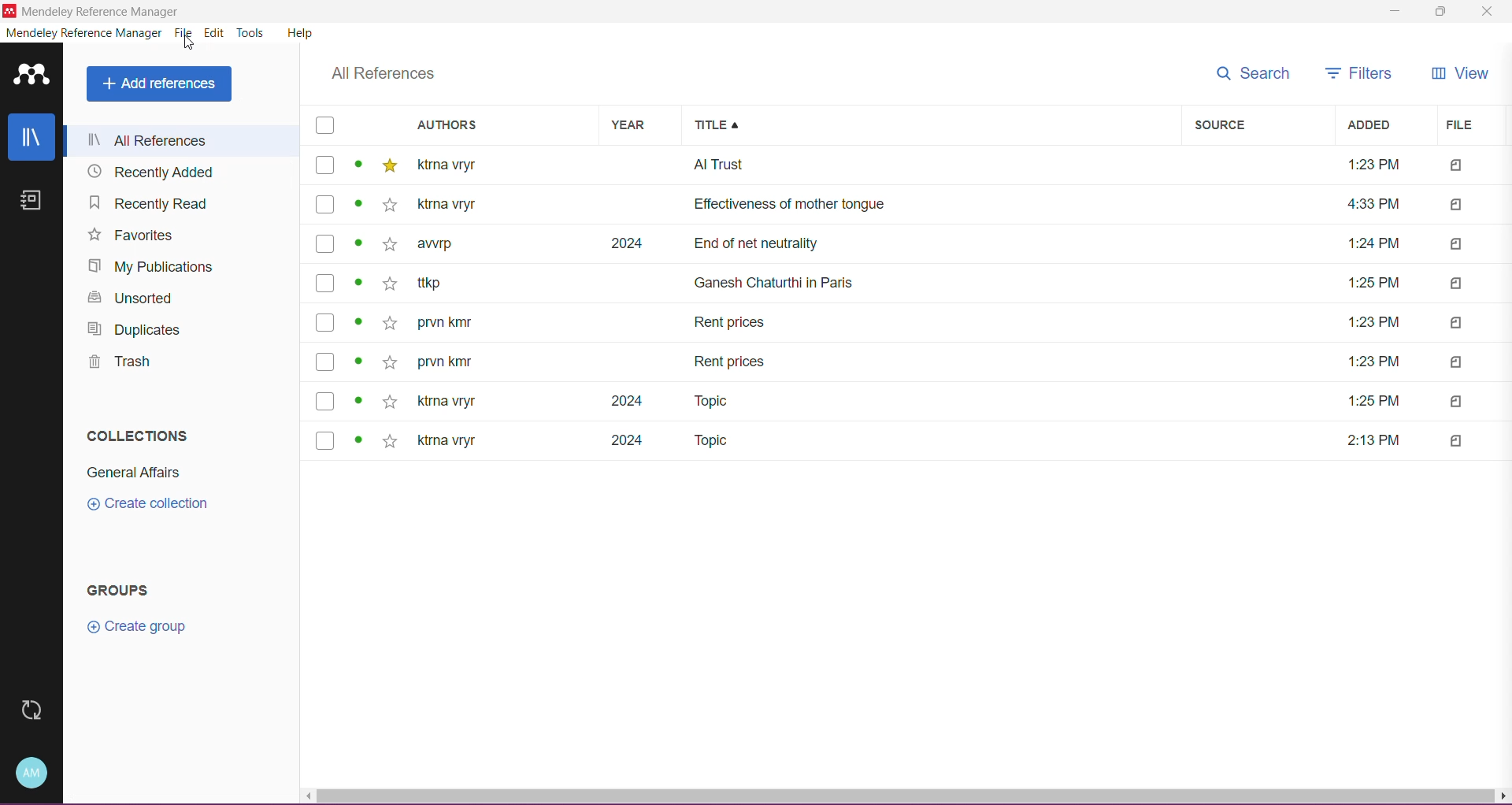 The image size is (1512, 805). Describe the element at coordinates (145, 202) in the screenshot. I see `Recently Read` at that location.